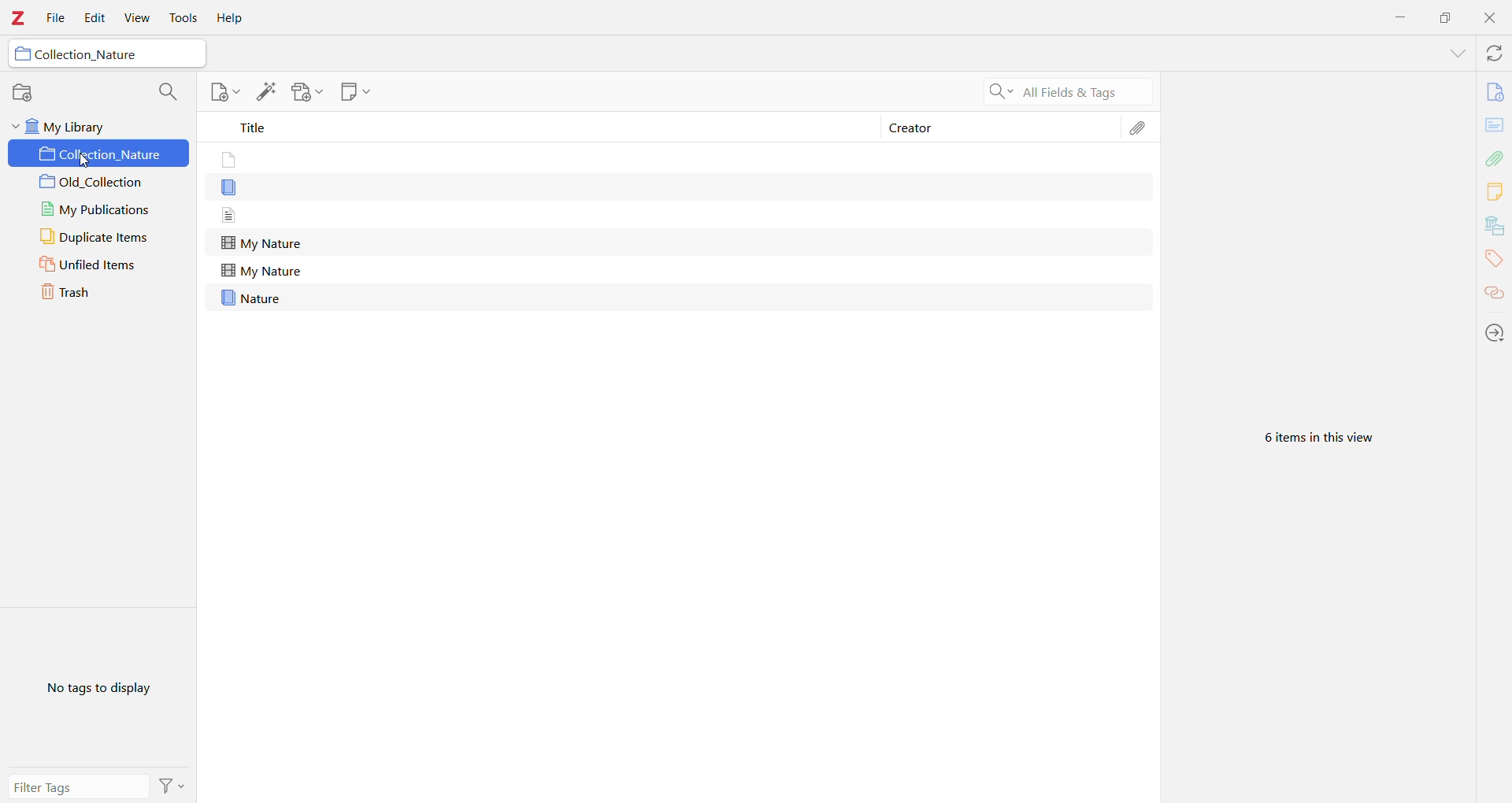 Image resolution: width=1512 pixels, height=803 pixels. I want to click on List all Tabs, so click(1456, 53).